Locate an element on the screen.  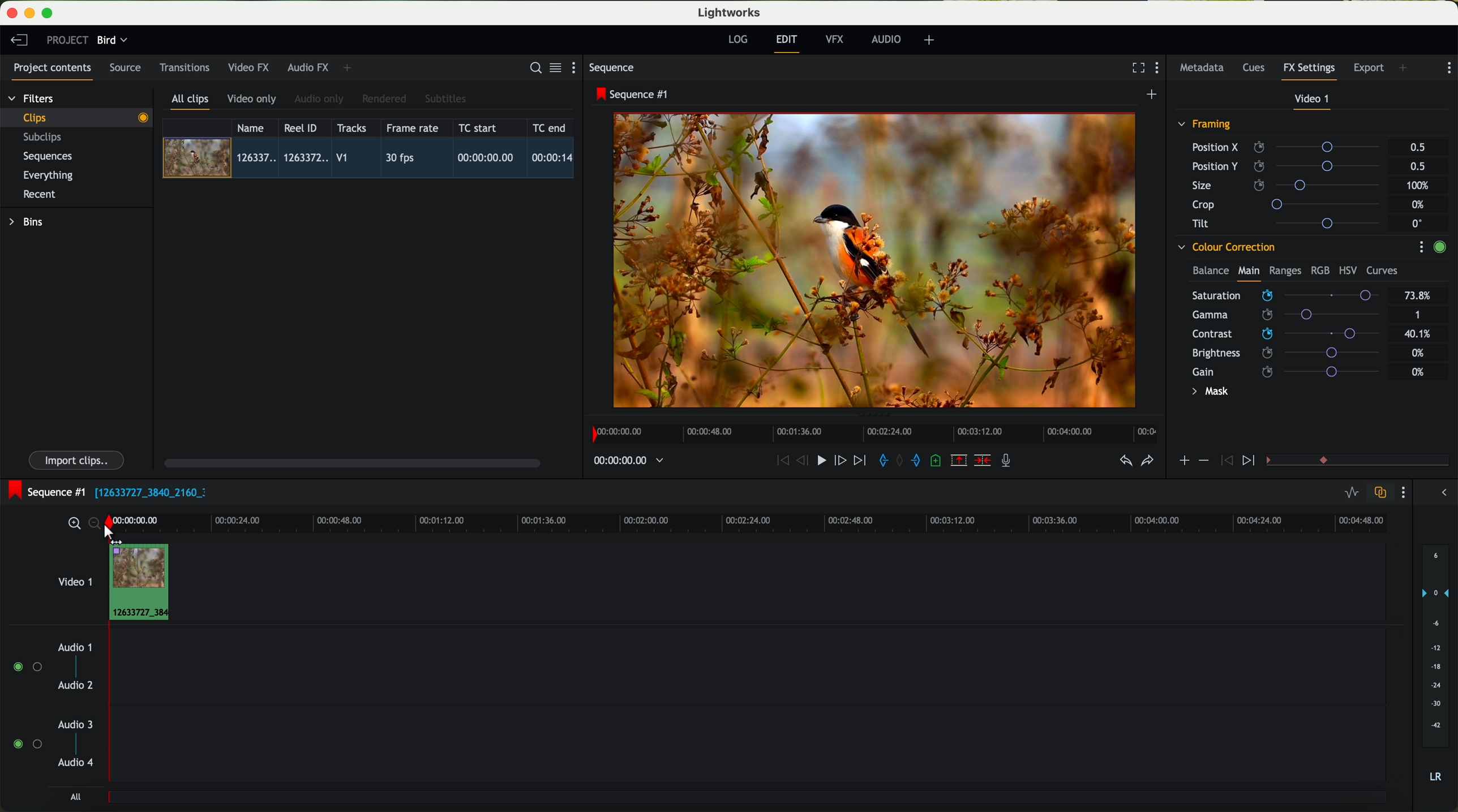
100% is located at coordinates (1421, 186).